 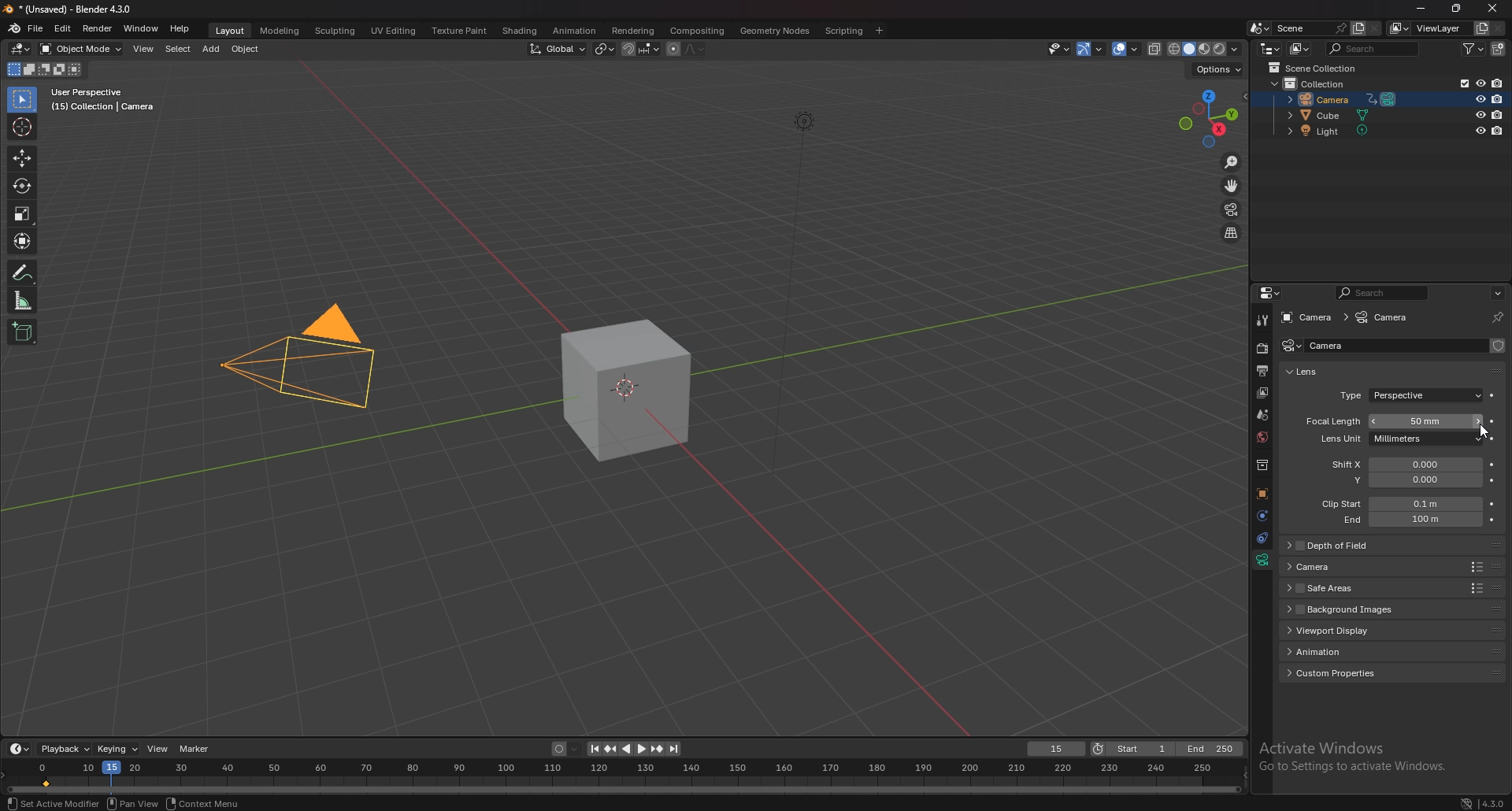 What do you see at coordinates (1261, 515) in the screenshot?
I see `physics` at bounding box center [1261, 515].